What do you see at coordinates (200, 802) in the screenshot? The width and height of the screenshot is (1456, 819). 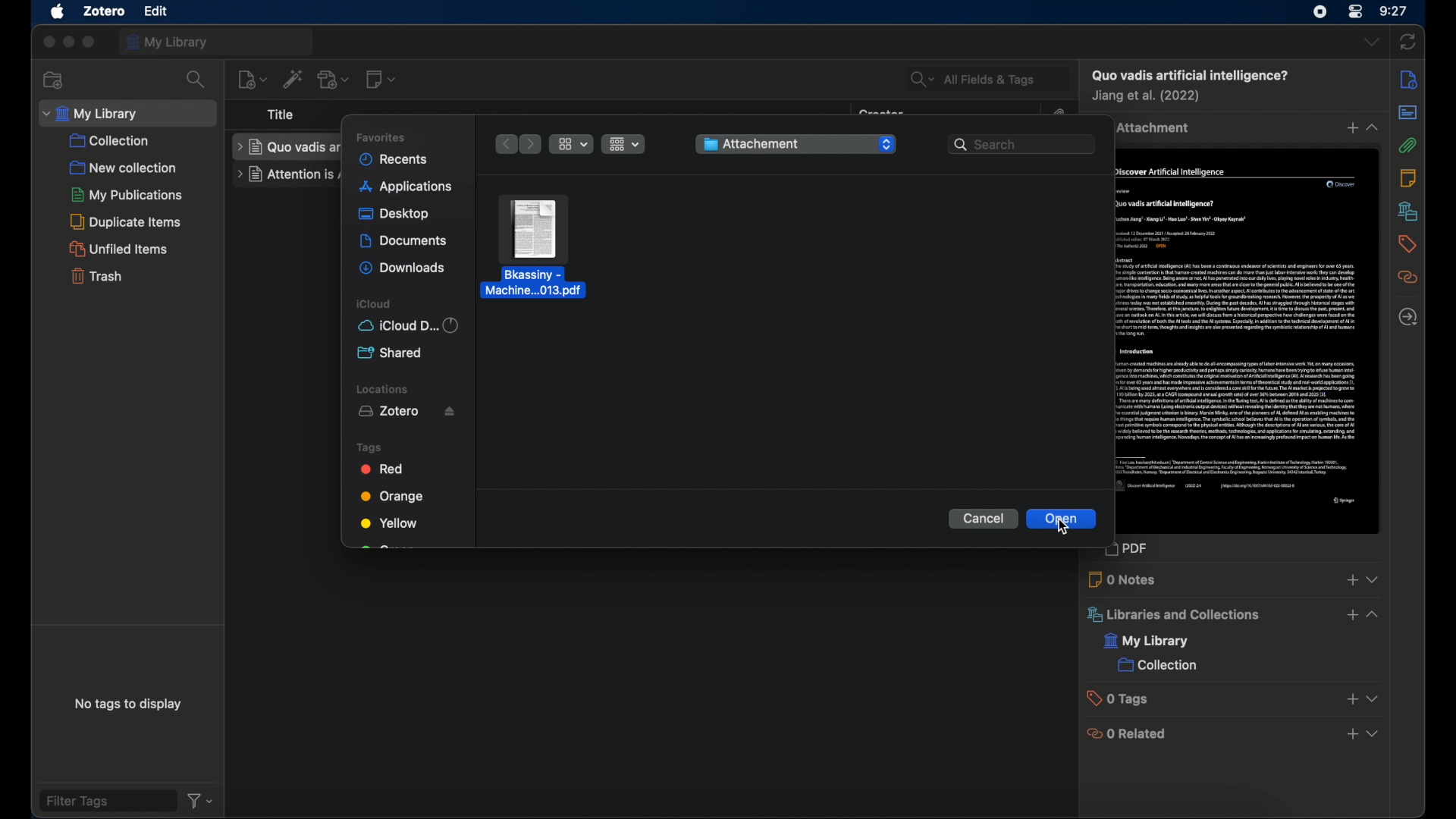 I see `filter dropdown` at bounding box center [200, 802].